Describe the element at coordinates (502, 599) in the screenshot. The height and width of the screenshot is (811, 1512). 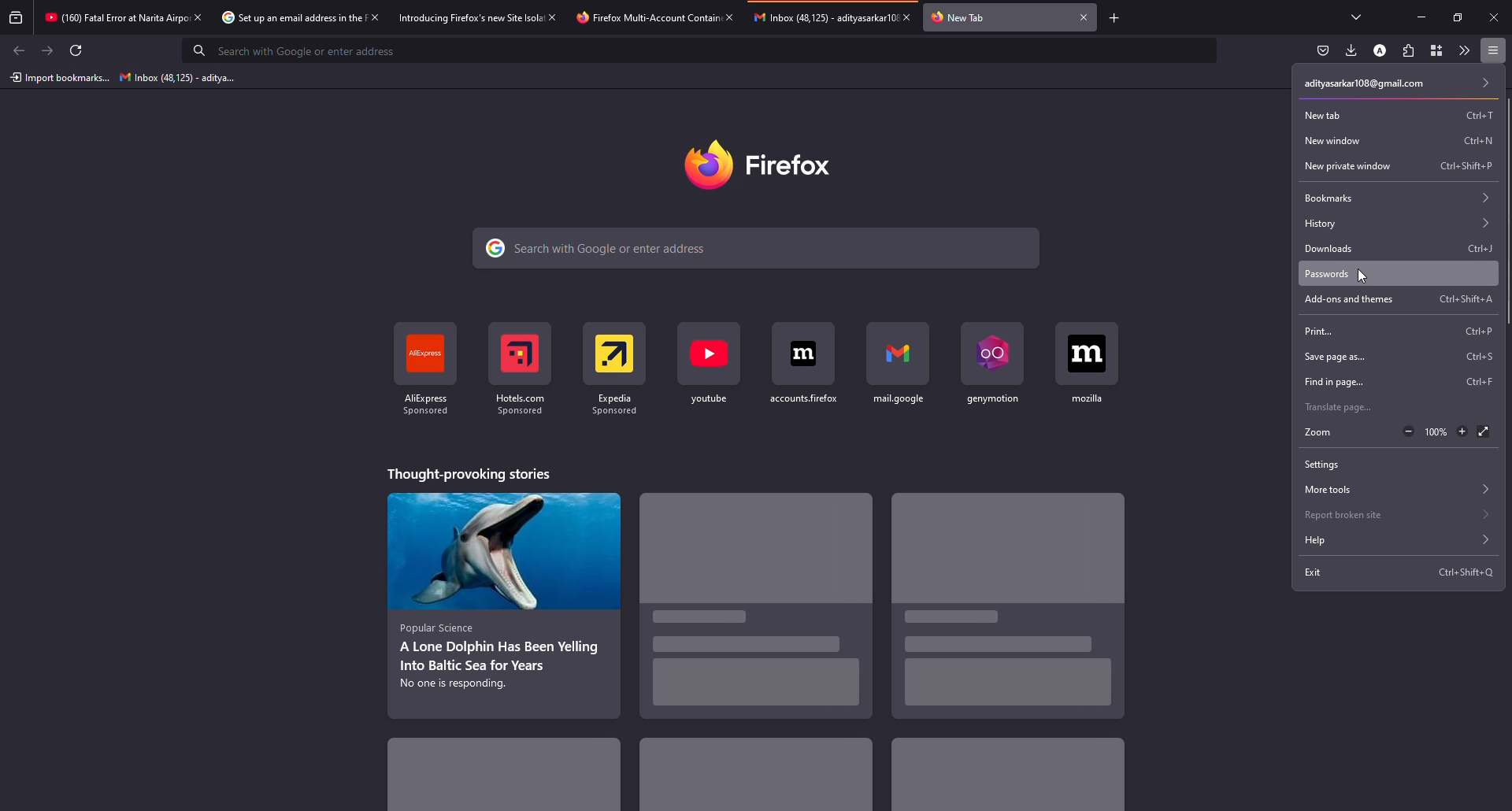
I see `stories` at that location.